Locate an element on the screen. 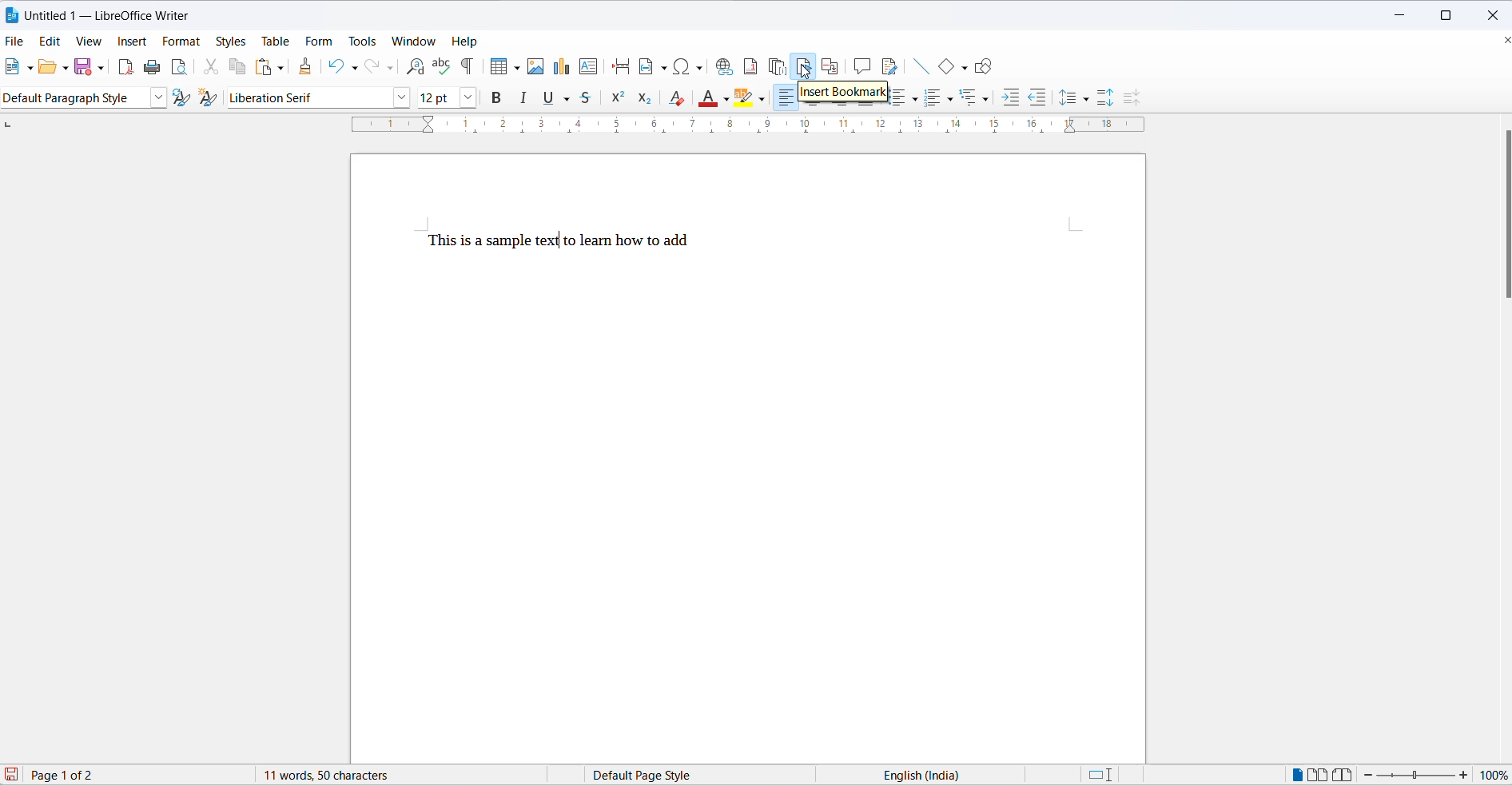 The height and width of the screenshot is (786, 1512). copy is located at coordinates (241, 67).